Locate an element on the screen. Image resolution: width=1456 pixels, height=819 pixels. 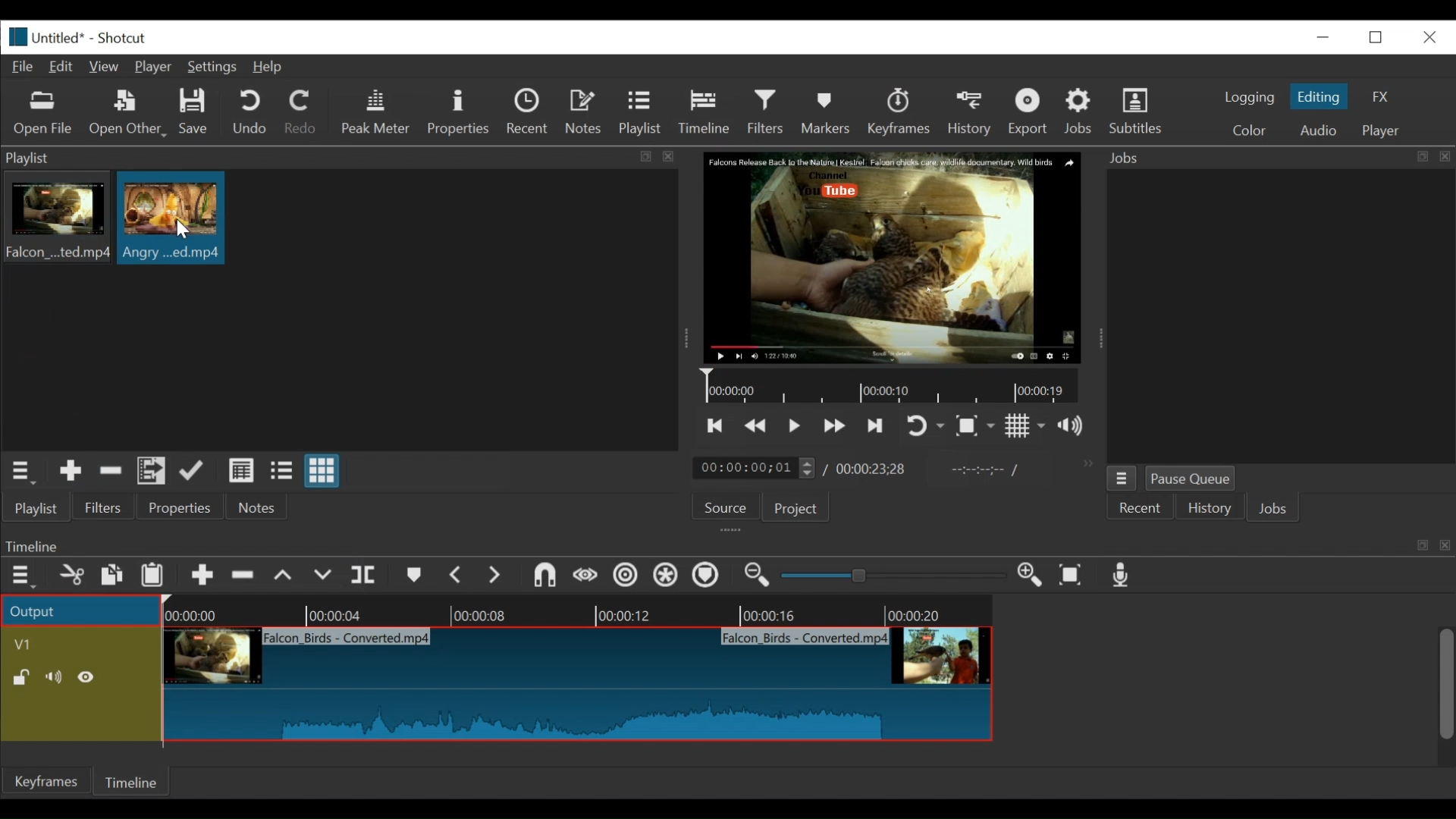
Append is located at coordinates (202, 579).